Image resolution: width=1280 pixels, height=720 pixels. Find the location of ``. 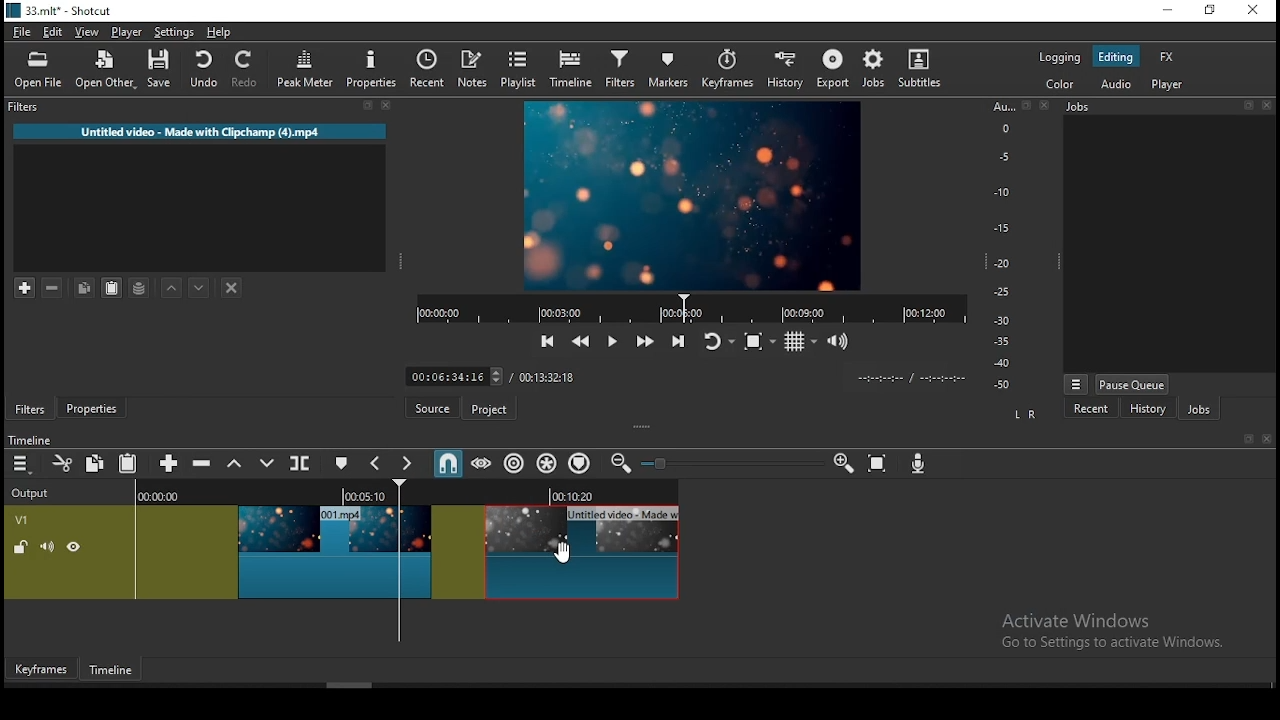

 is located at coordinates (921, 466).